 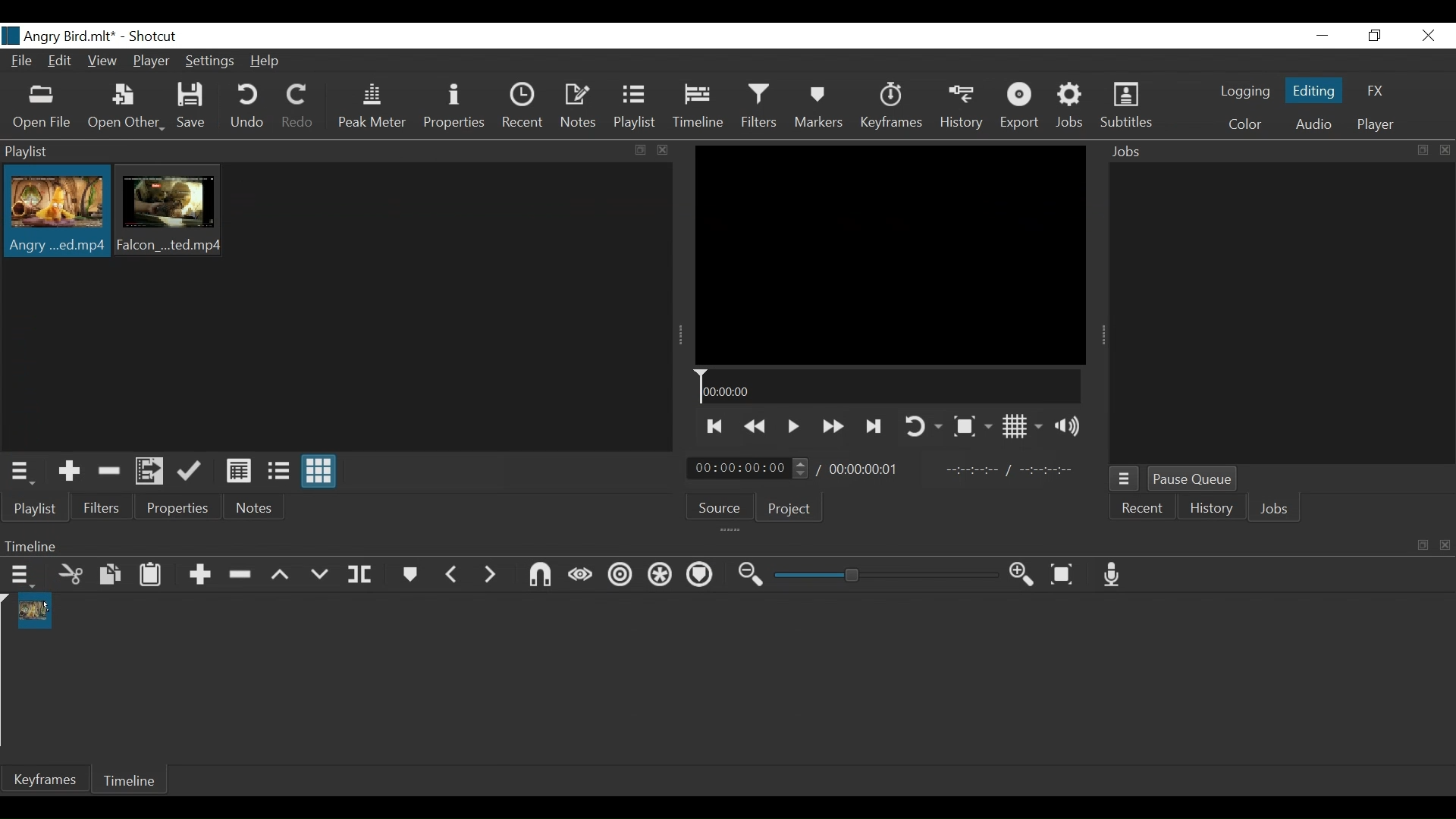 I want to click on Recent, so click(x=522, y=109).